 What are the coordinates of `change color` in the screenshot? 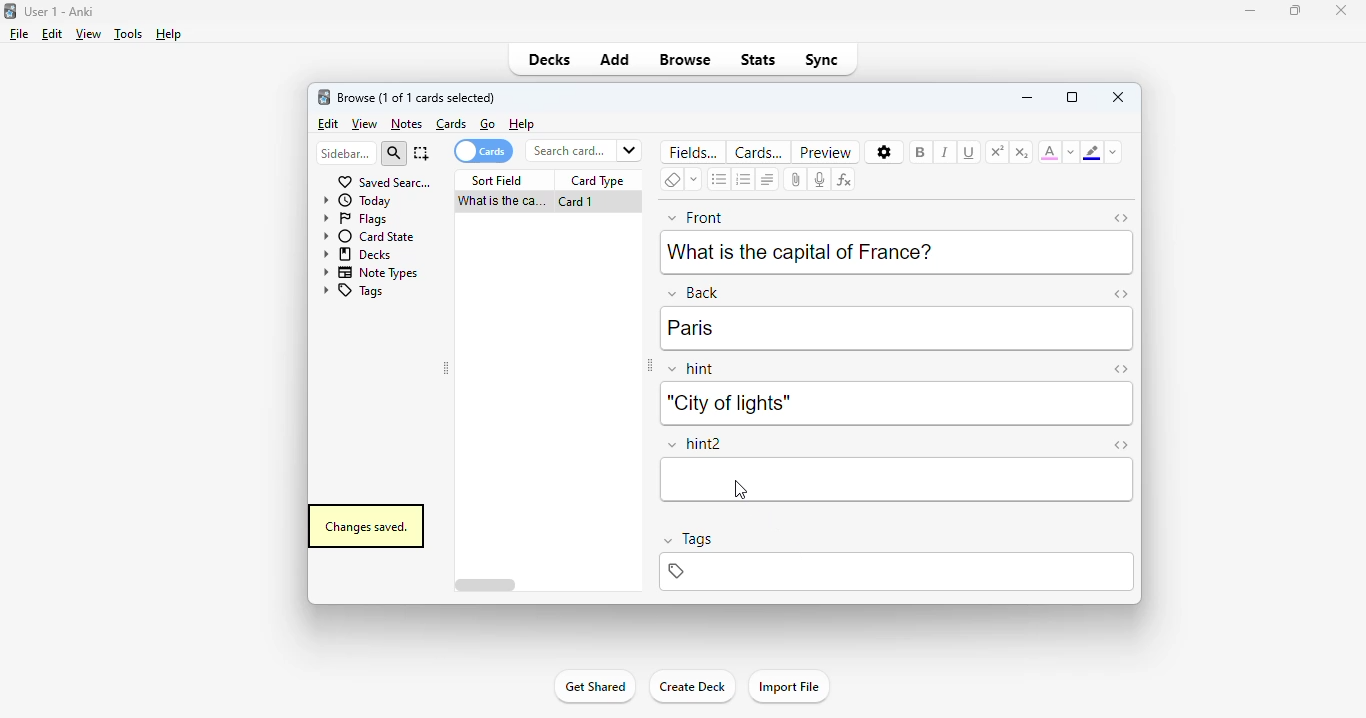 It's located at (1071, 152).